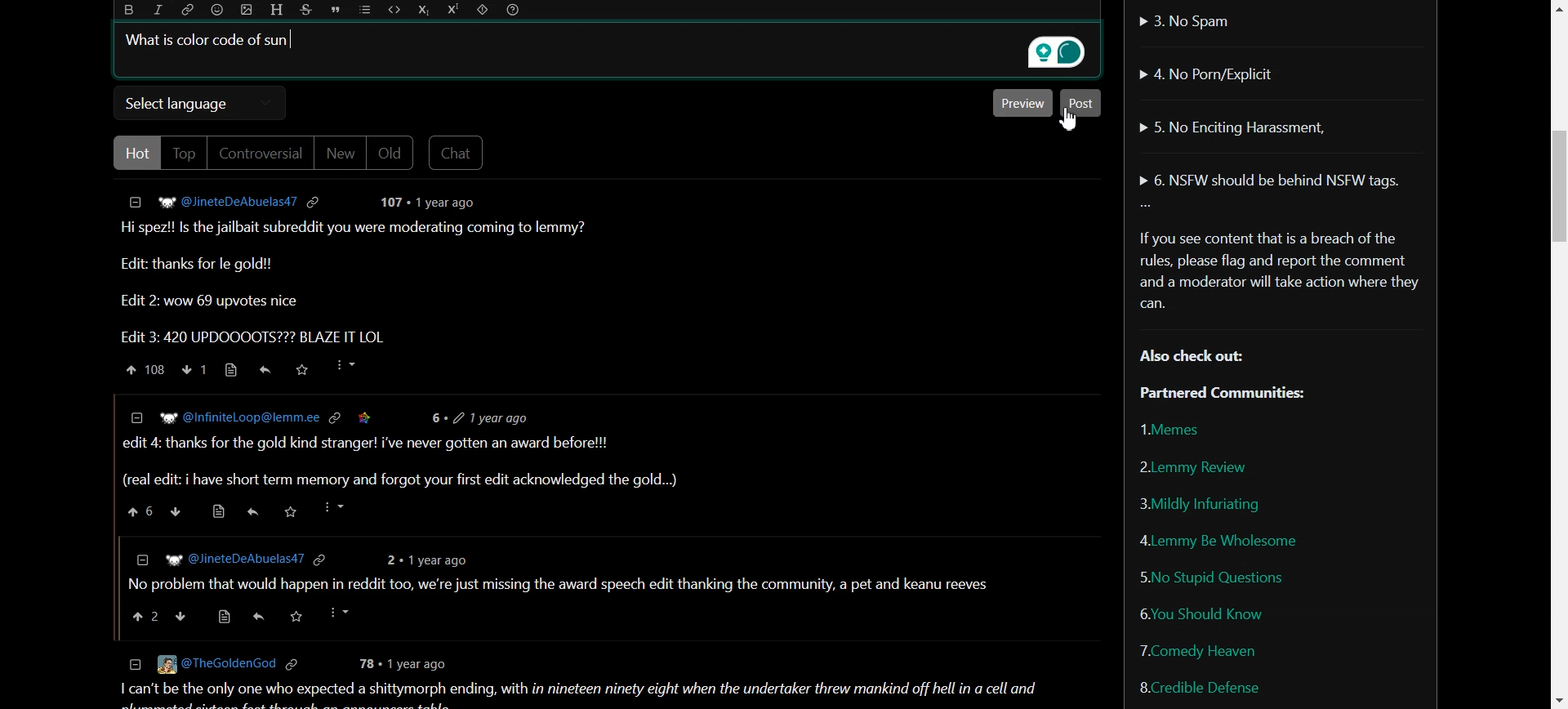 The image size is (1568, 709). What do you see at coordinates (134, 154) in the screenshot?
I see `Hot` at bounding box center [134, 154].